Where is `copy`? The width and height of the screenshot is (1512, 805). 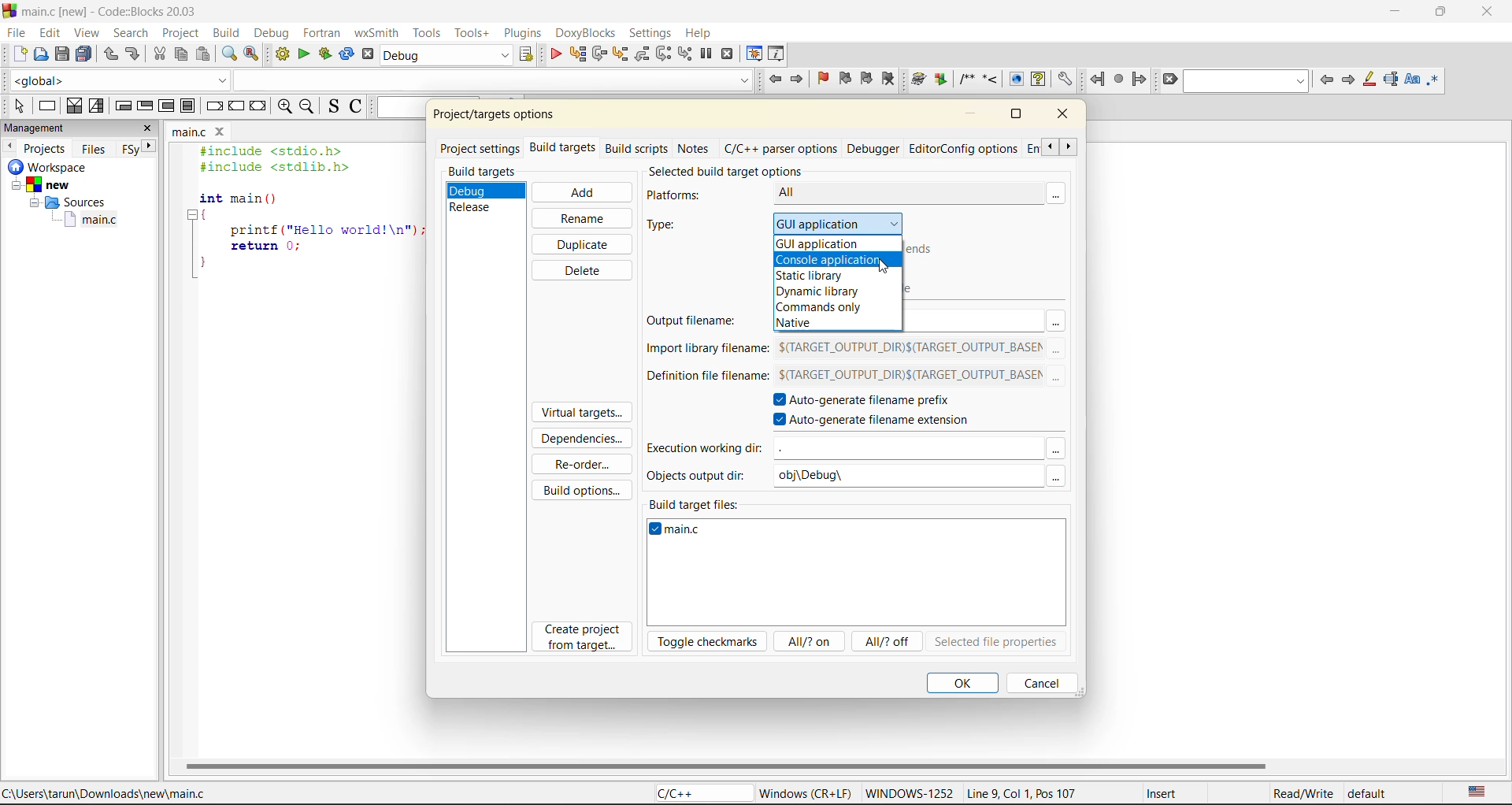 copy is located at coordinates (182, 54).